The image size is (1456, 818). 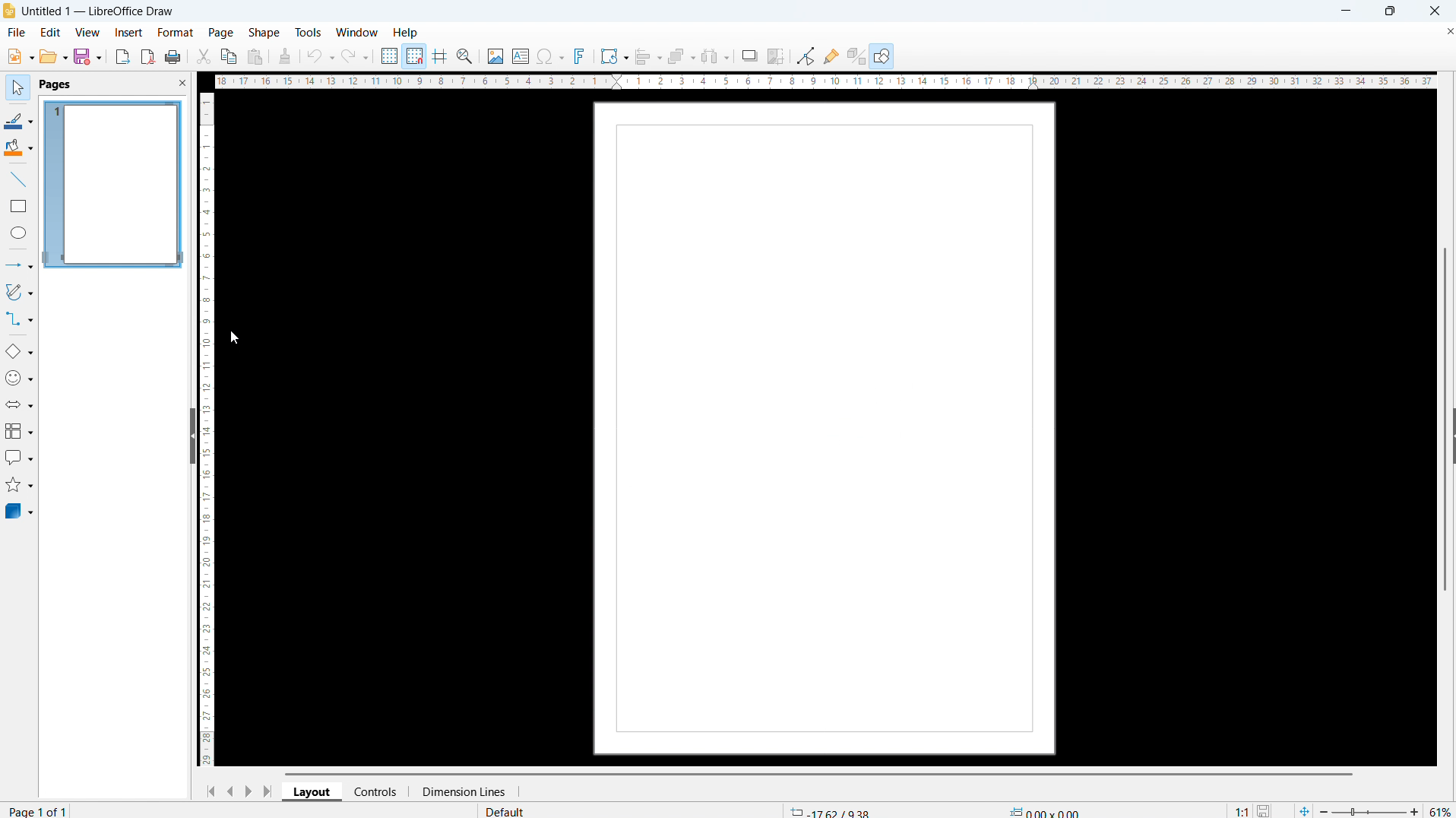 What do you see at coordinates (20, 487) in the screenshot?
I see `stars and banners` at bounding box center [20, 487].